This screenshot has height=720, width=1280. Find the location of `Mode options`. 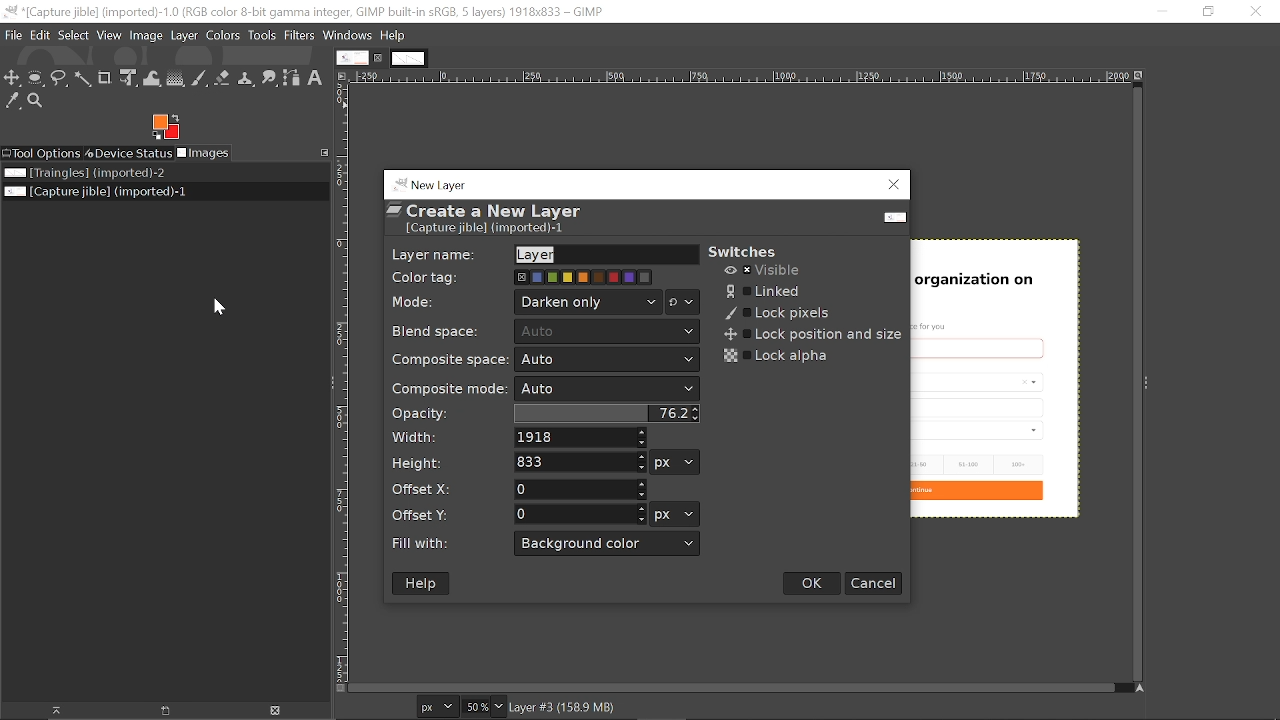

Mode options is located at coordinates (683, 303).